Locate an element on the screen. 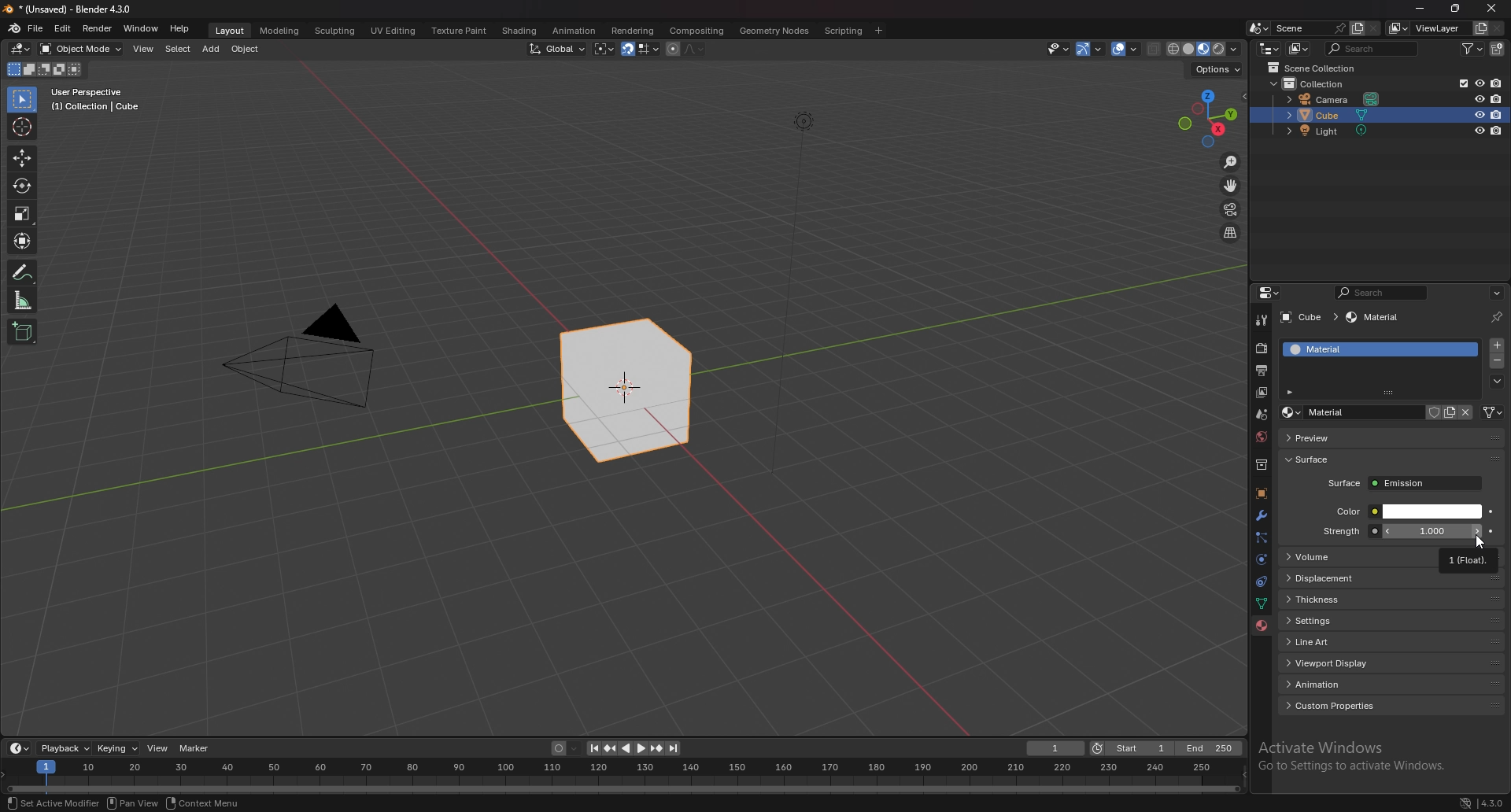  scripting is located at coordinates (844, 30).